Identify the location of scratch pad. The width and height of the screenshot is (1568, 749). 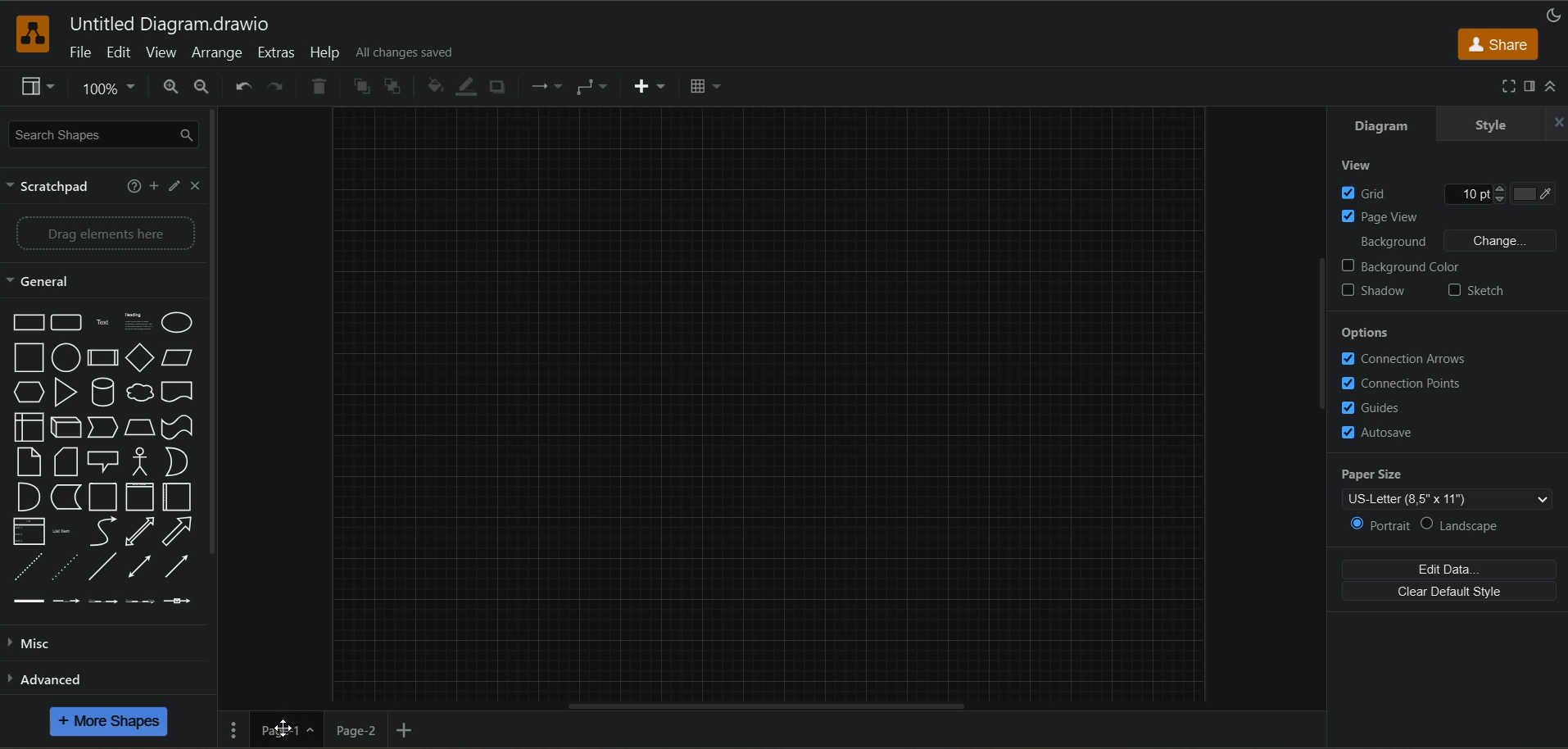
(56, 187).